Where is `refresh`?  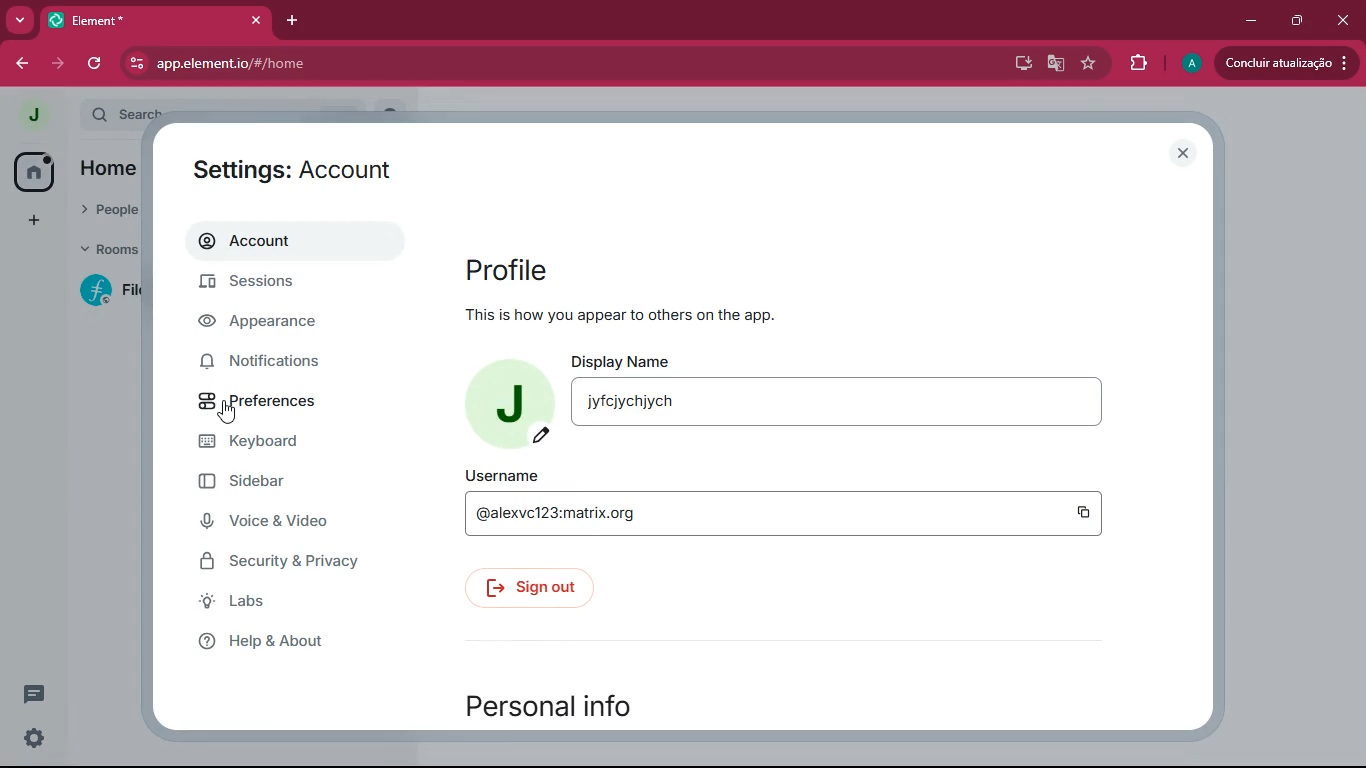
refresh is located at coordinates (94, 65).